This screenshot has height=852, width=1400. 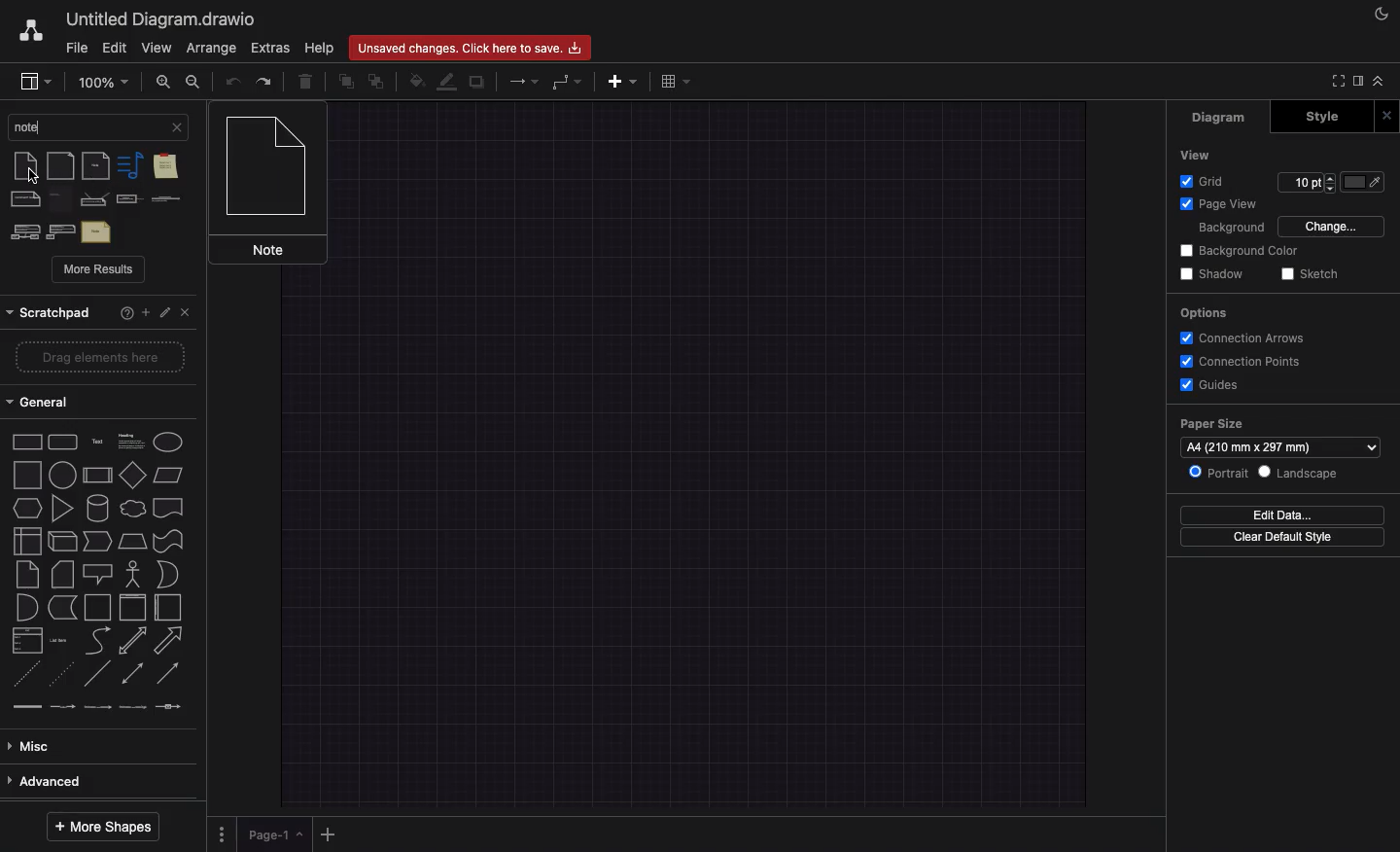 What do you see at coordinates (102, 81) in the screenshot?
I see `Zoom` at bounding box center [102, 81].